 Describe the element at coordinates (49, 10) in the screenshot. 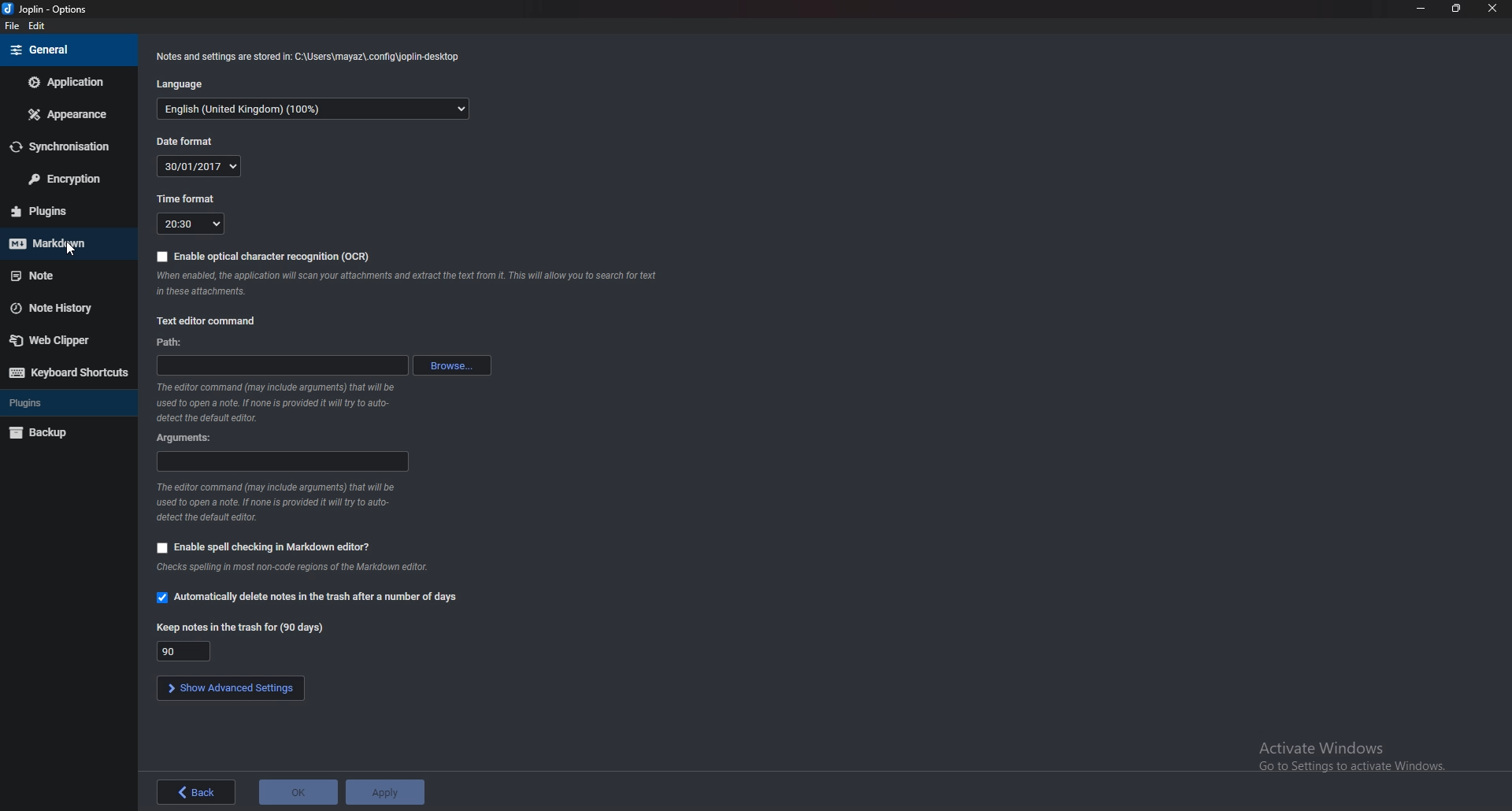

I see `options` at that location.